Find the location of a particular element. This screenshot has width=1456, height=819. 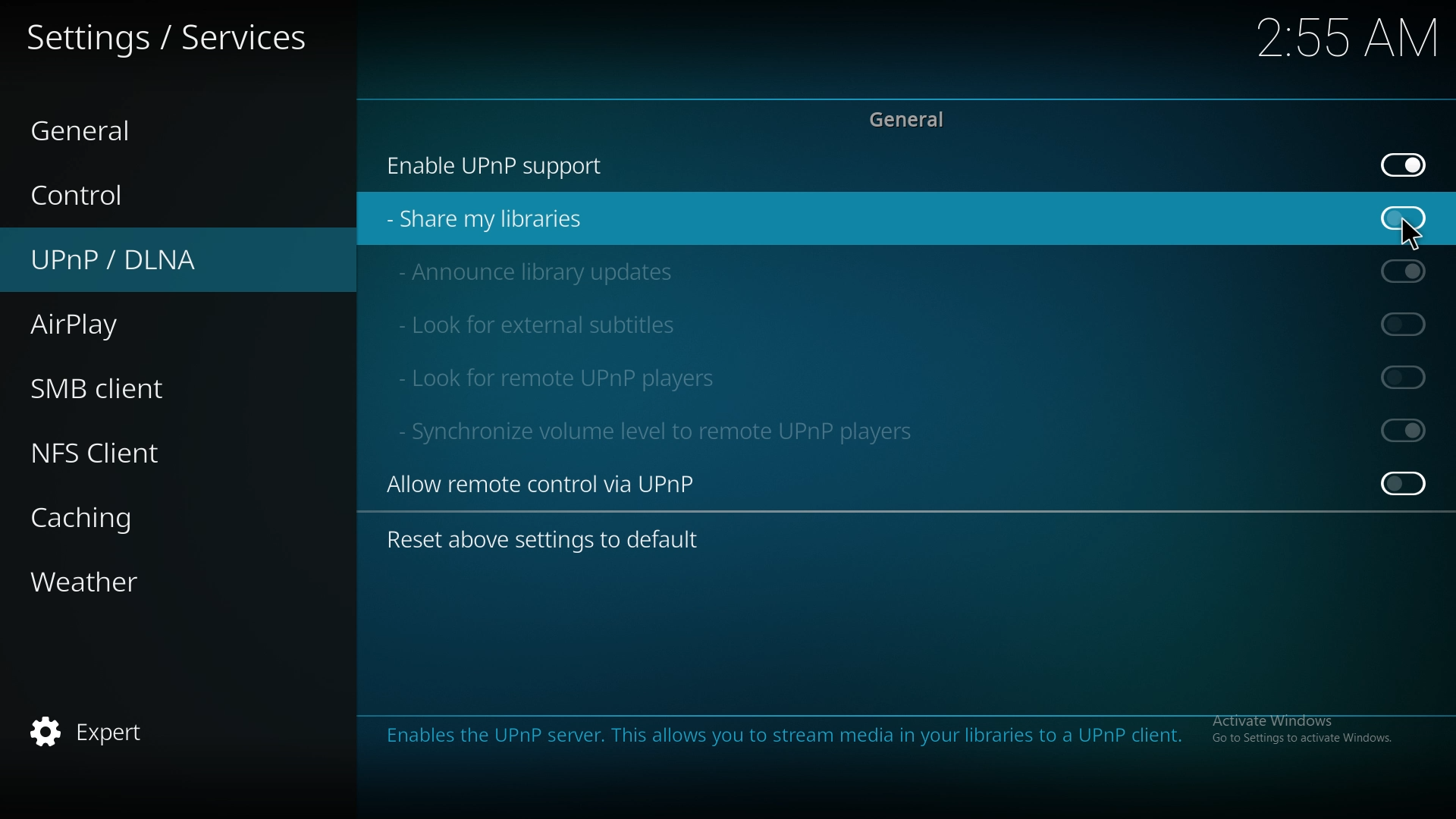

general is located at coordinates (105, 127).